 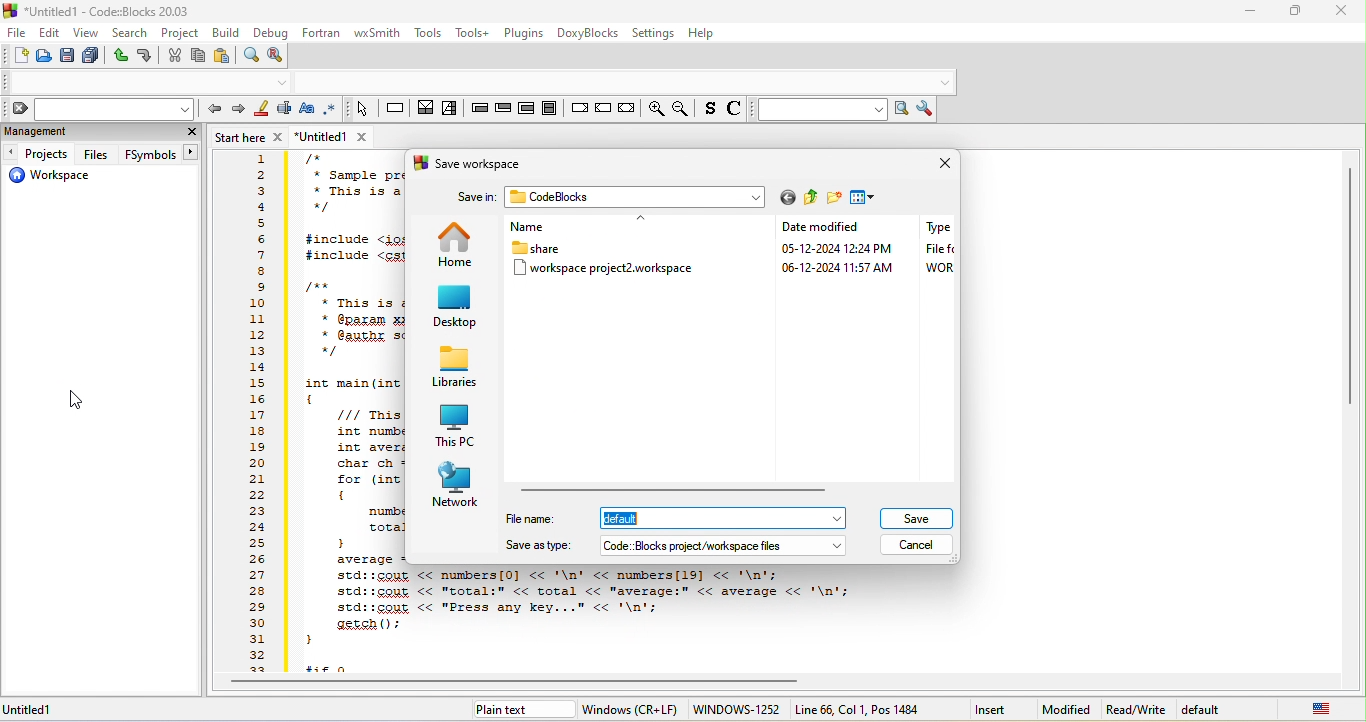 What do you see at coordinates (197, 56) in the screenshot?
I see `copy` at bounding box center [197, 56].